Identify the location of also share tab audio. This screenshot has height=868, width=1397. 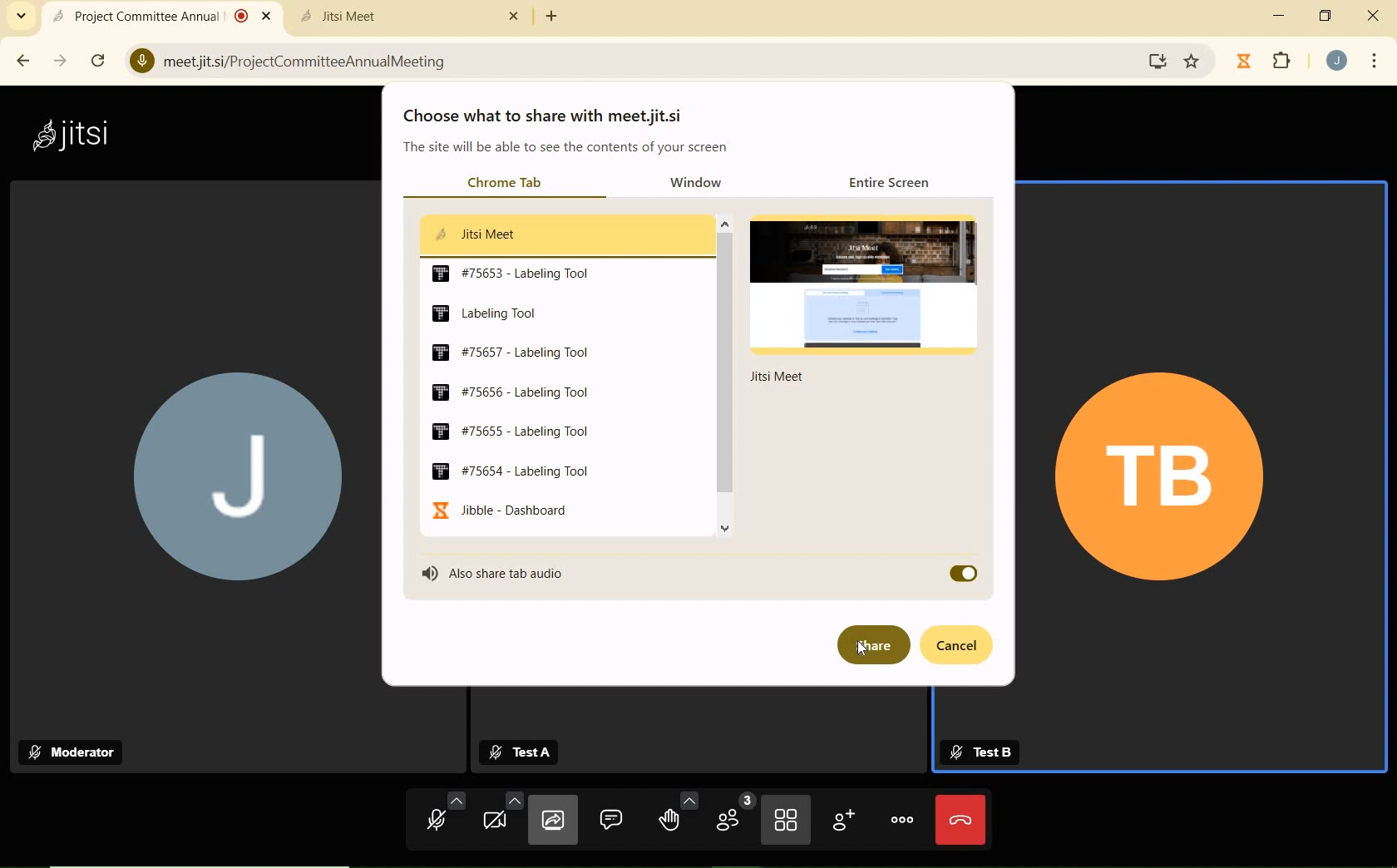
(500, 572).